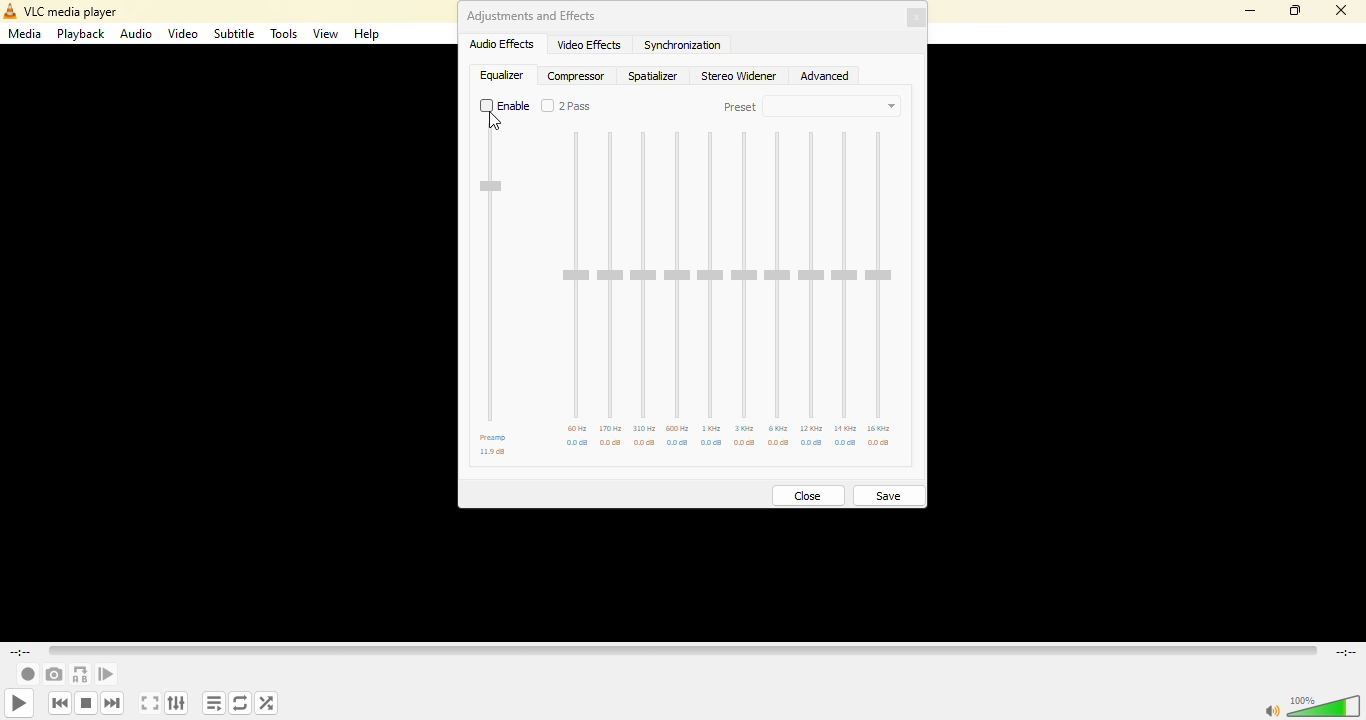  I want to click on video effects, so click(589, 45).